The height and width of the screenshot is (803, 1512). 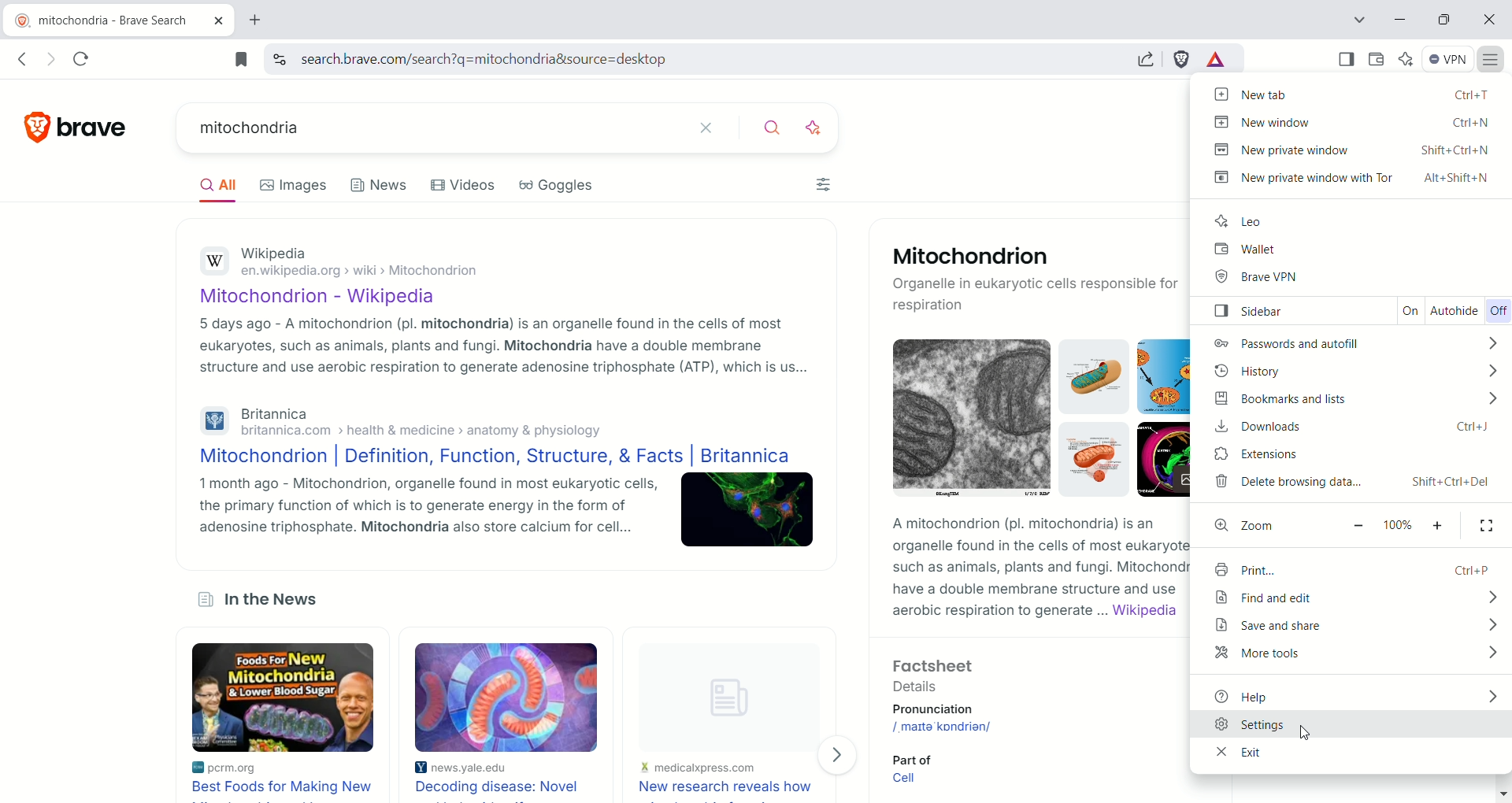 What do you see at coordinates (1017, 294) in the screenshot?
I see `Organelle in eukaryotic cells responsible for
respiration` at bounding box center [1017, 294].